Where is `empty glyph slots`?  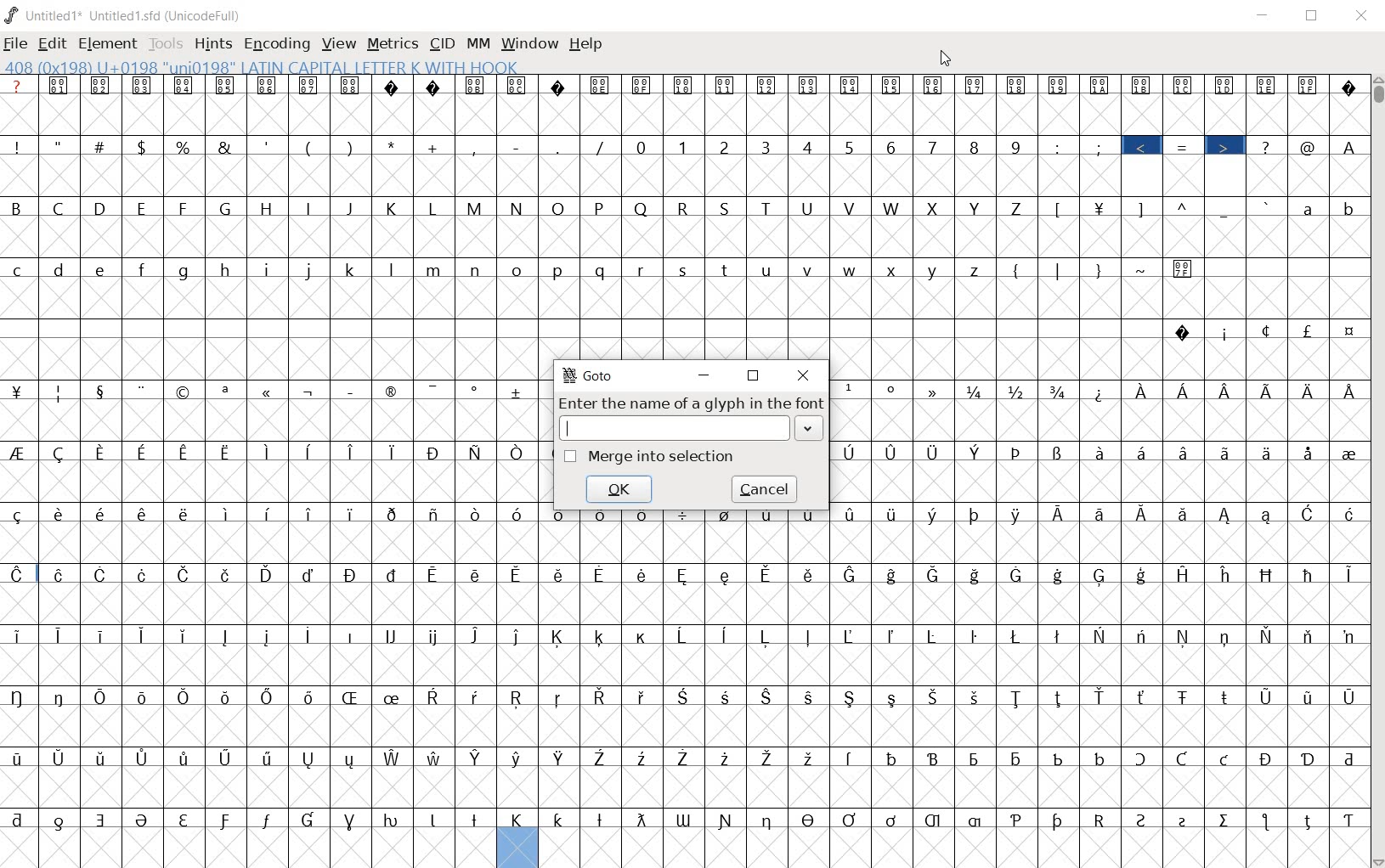 empty glyph slots is located at coordinates (687, 237).